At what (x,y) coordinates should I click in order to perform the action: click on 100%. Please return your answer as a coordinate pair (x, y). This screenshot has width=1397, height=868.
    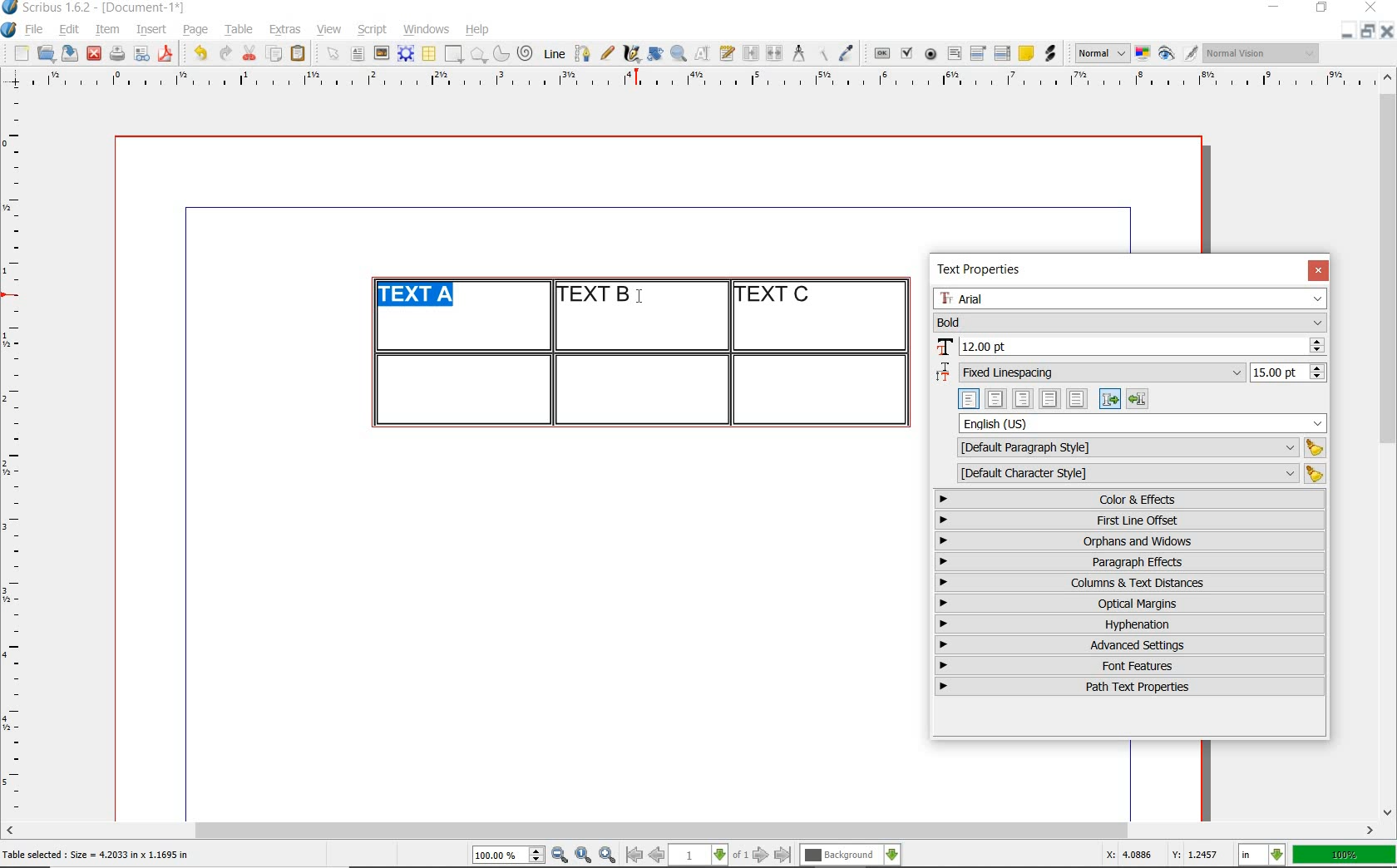
    Looking at the image, I should click on (1345, 855).